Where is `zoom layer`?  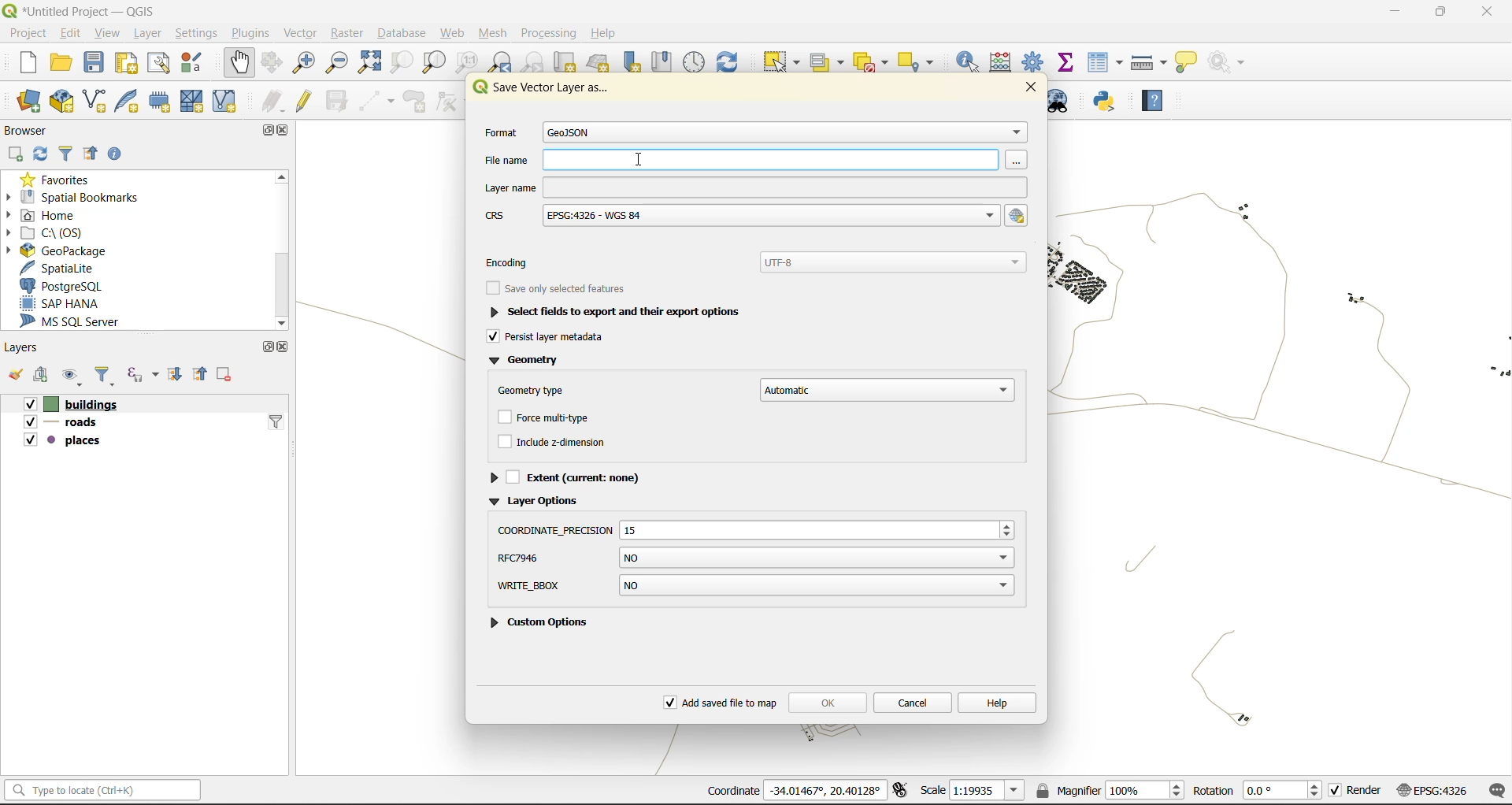
zoom layer is located at coordinates (433, 63).